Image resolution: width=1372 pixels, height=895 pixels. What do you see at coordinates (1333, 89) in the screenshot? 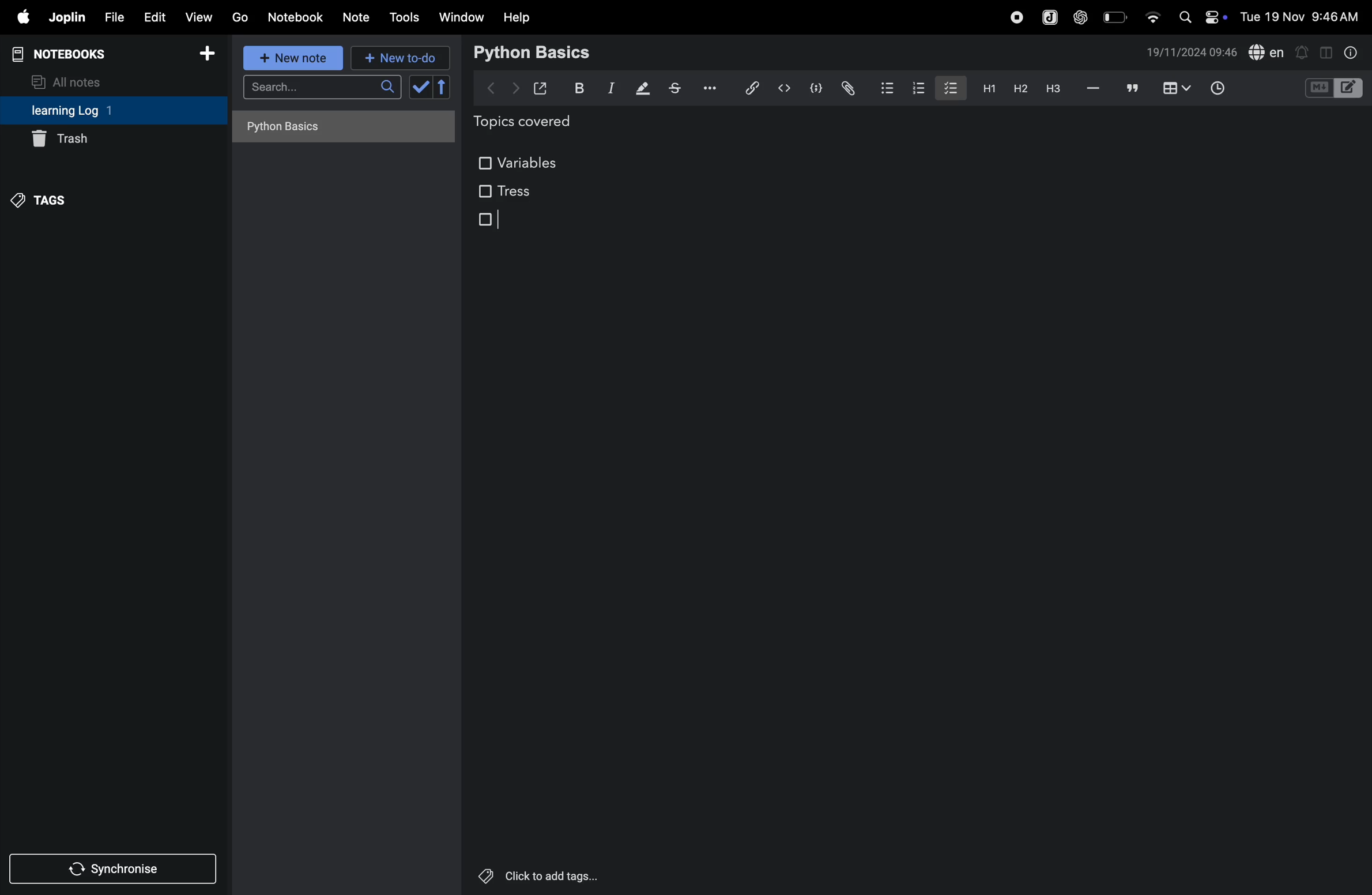
I see `code block` at bounding box center [1333, 89].